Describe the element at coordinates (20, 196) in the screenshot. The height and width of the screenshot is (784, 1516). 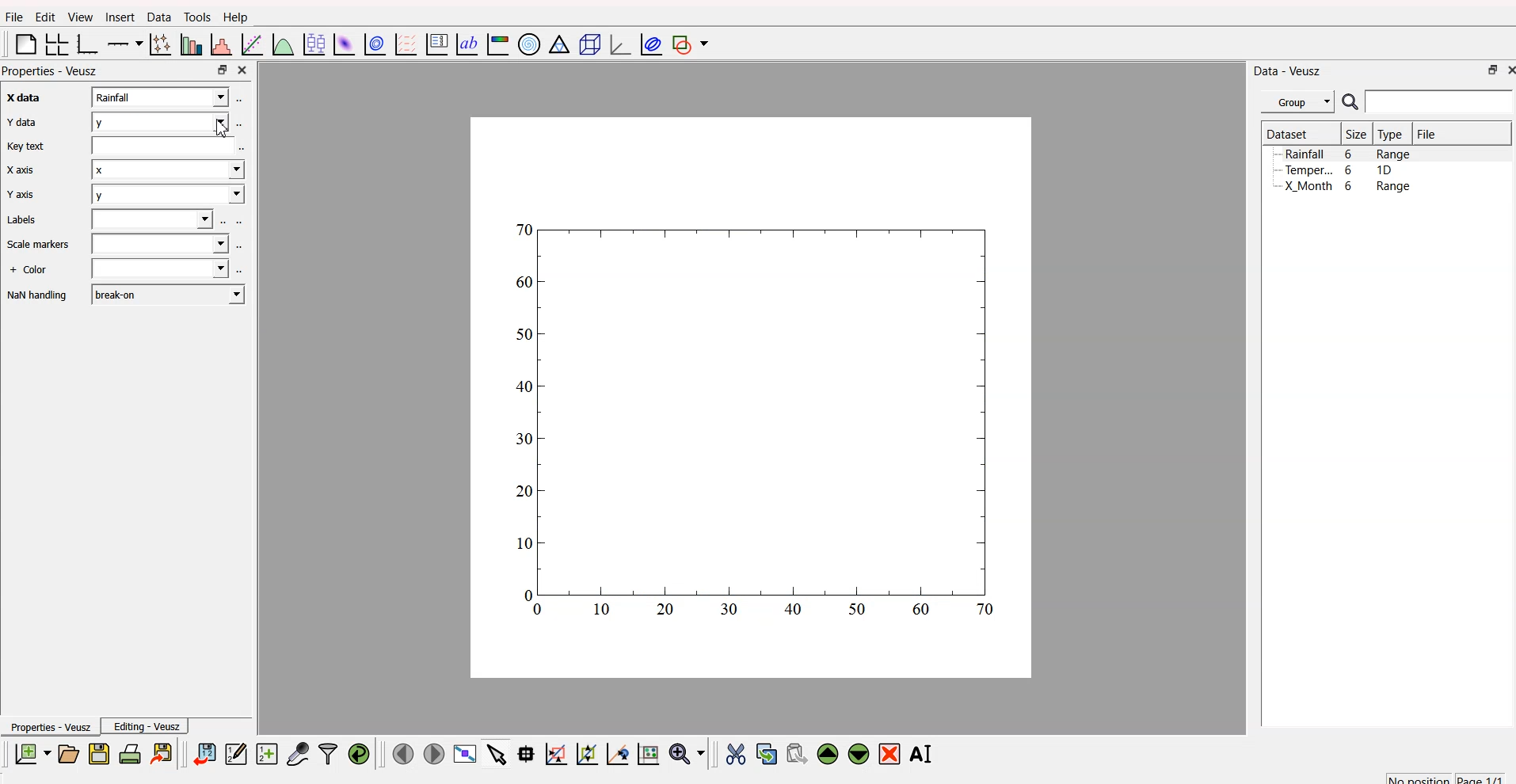
I see `Y axis` at that location.